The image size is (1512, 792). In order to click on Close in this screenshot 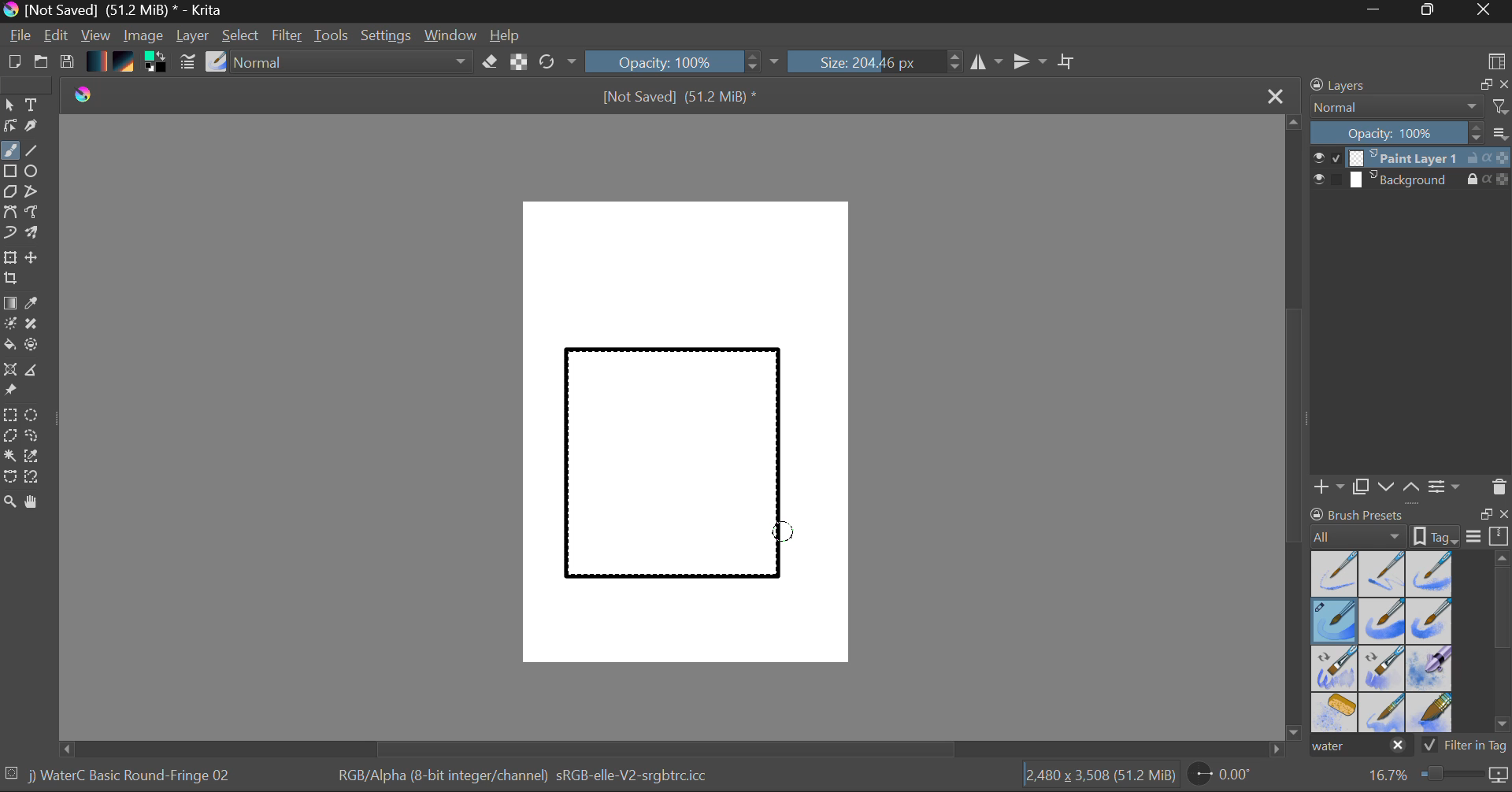, I will do `click(1485, 11)`.